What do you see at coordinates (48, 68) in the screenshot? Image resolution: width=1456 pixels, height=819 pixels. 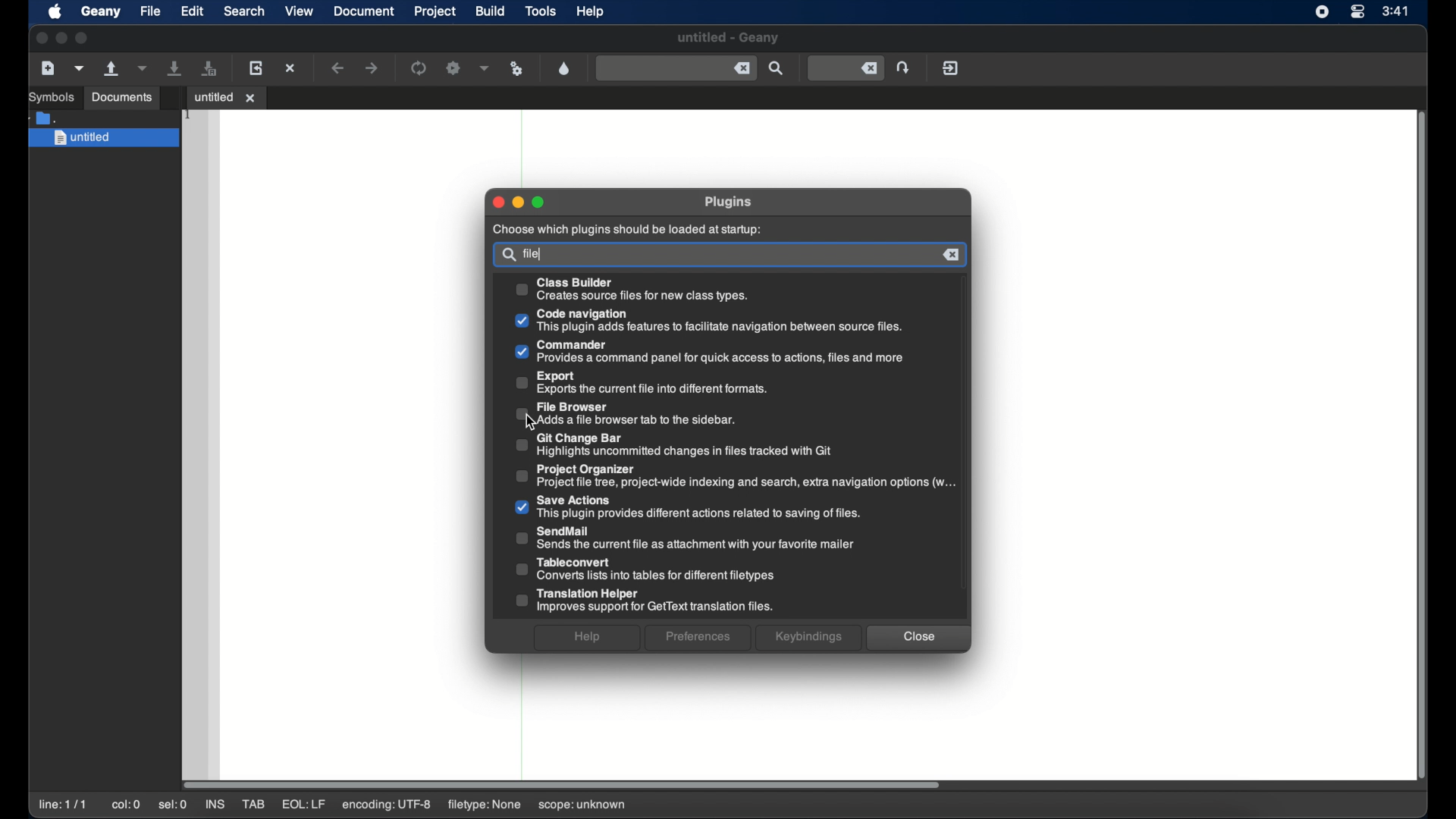 I see `create a new file` at bounding box center [48, 68].